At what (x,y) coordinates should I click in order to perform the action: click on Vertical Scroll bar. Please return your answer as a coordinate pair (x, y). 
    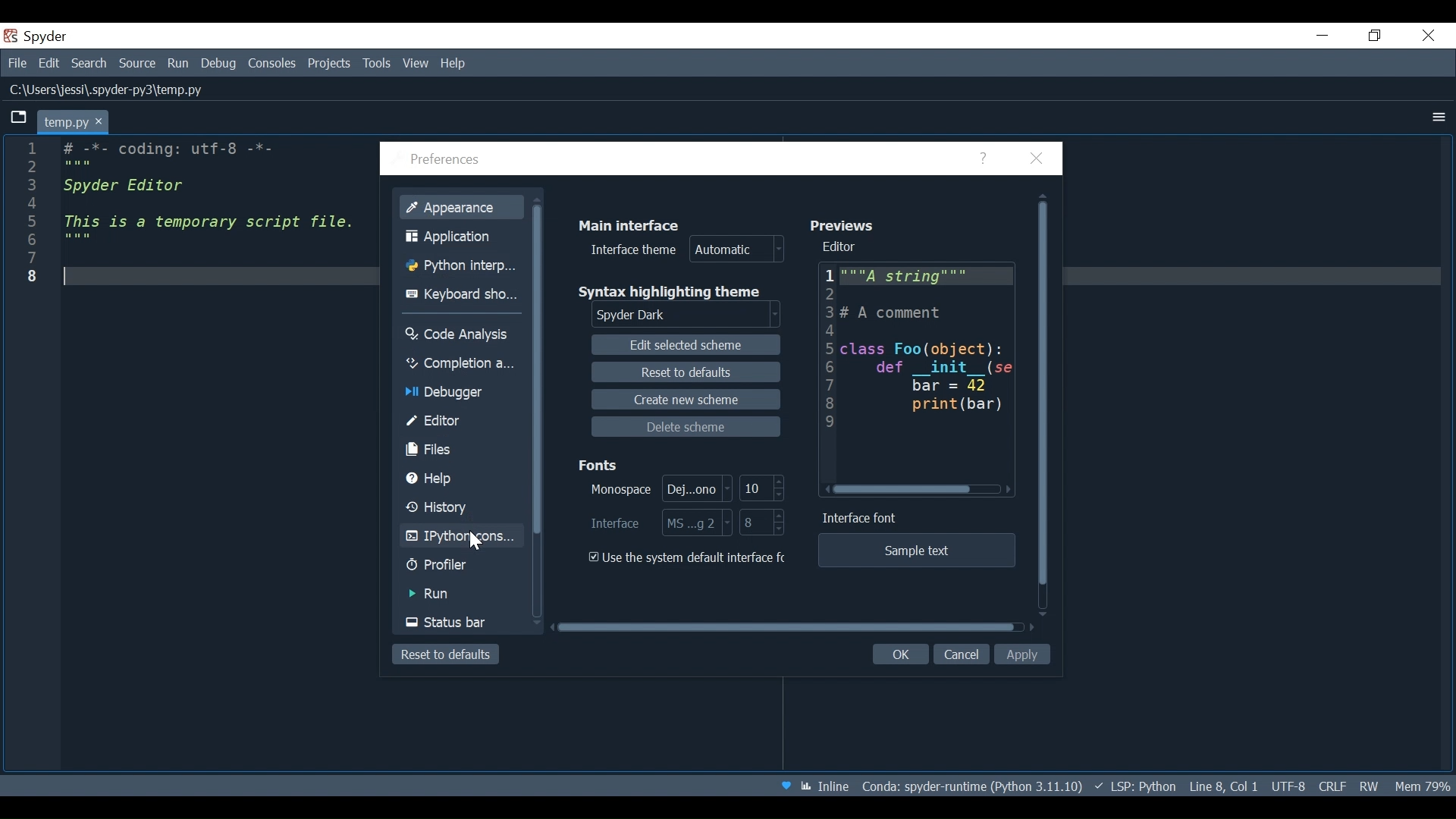
    Looking at the image, I should click on (1046, 403).